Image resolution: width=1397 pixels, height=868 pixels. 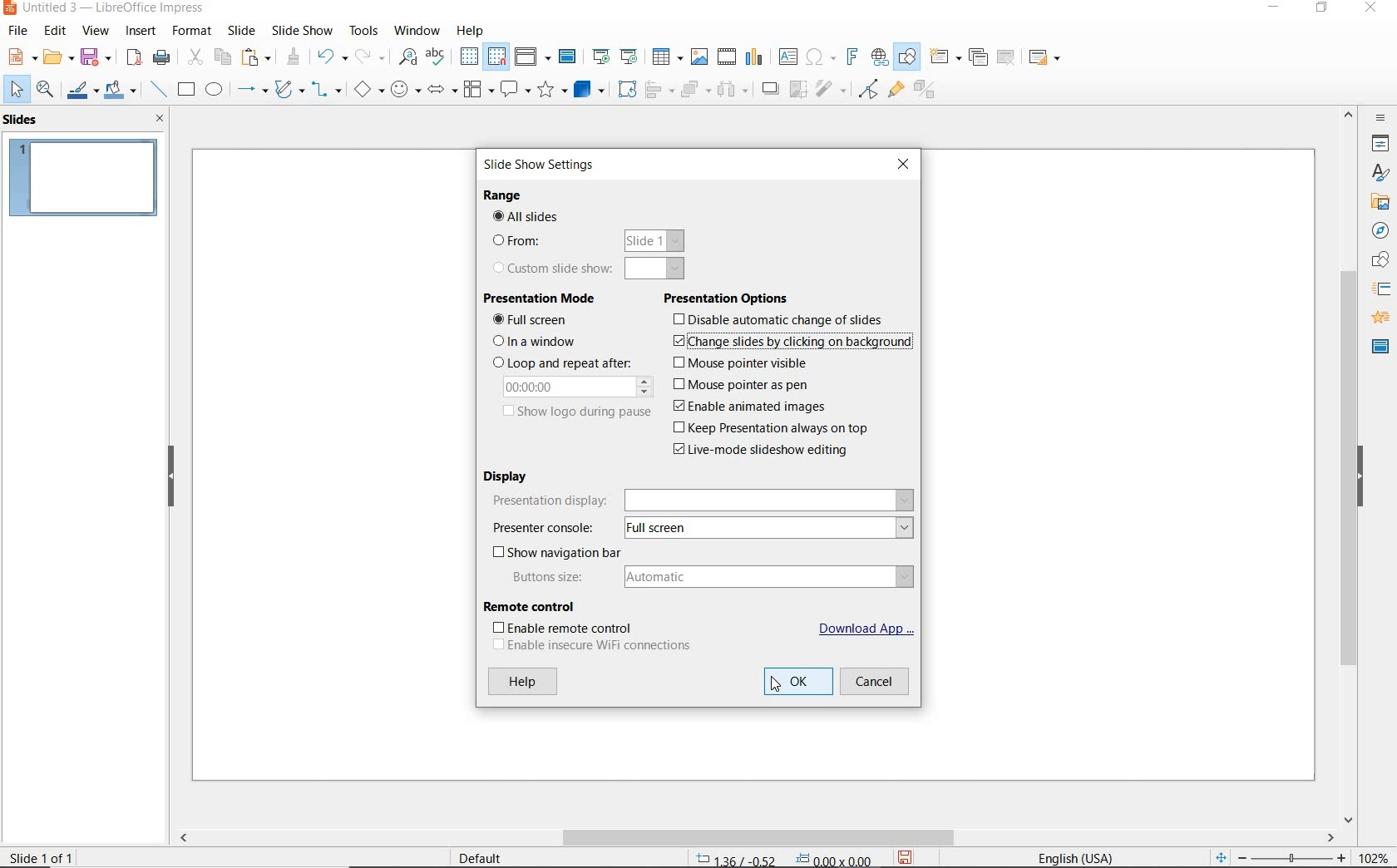 I want to click on OPEN, so click(x=57, y=57).